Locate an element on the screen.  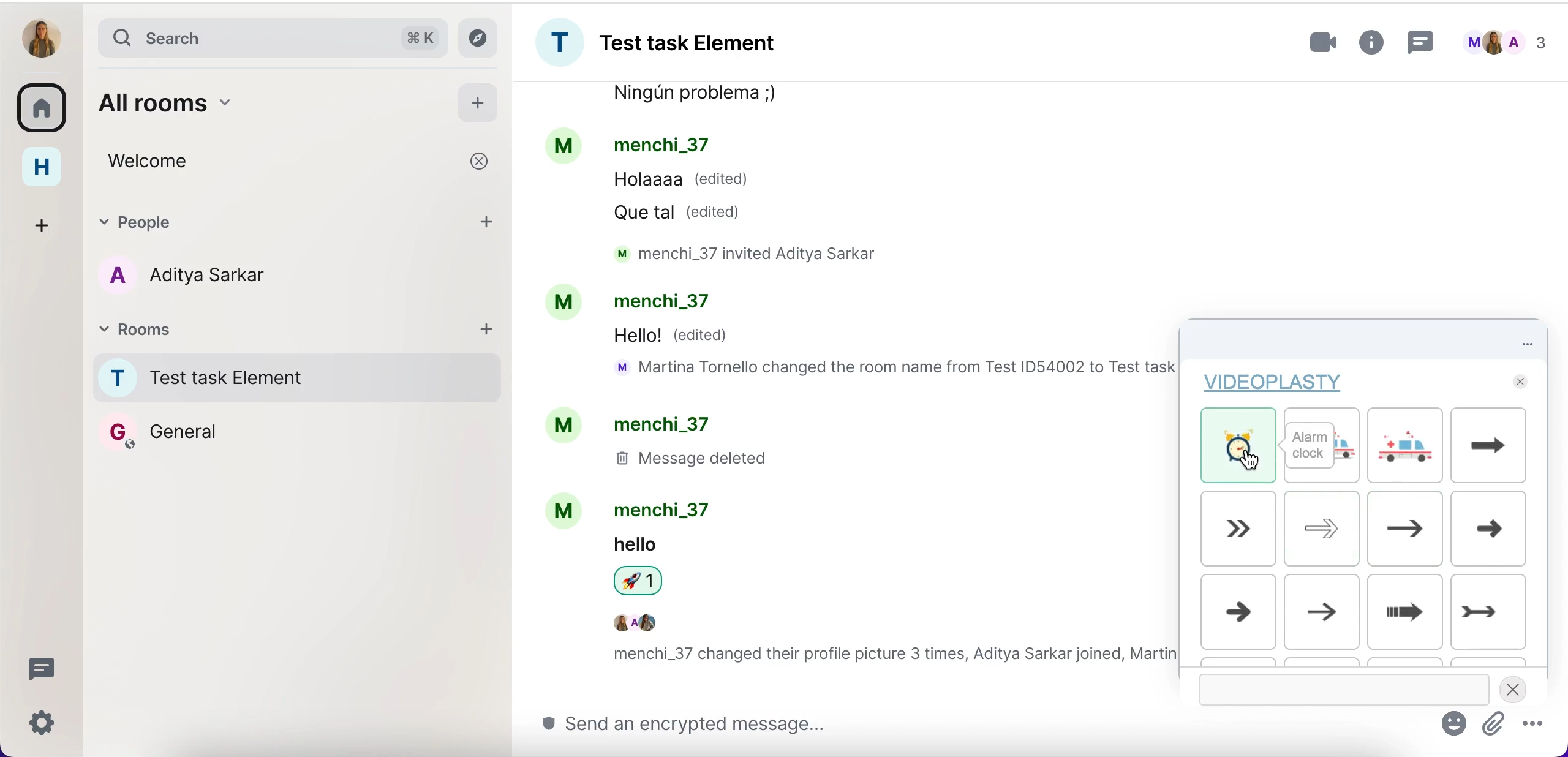
videoplasty is located at coordinates (1275, 381).